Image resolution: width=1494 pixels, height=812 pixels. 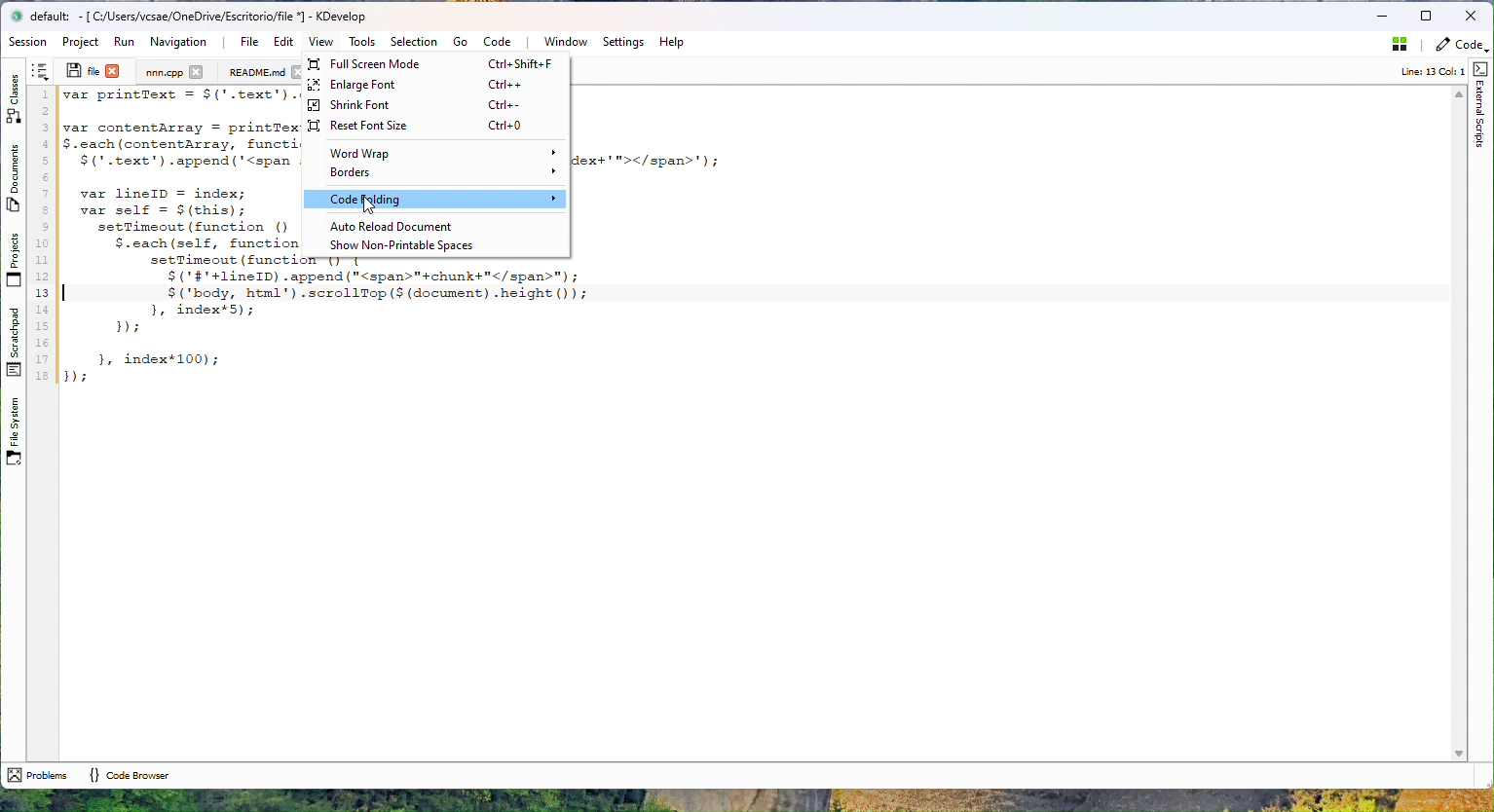 I want to click on Show non printable spaces, so click(x=431, y=245).